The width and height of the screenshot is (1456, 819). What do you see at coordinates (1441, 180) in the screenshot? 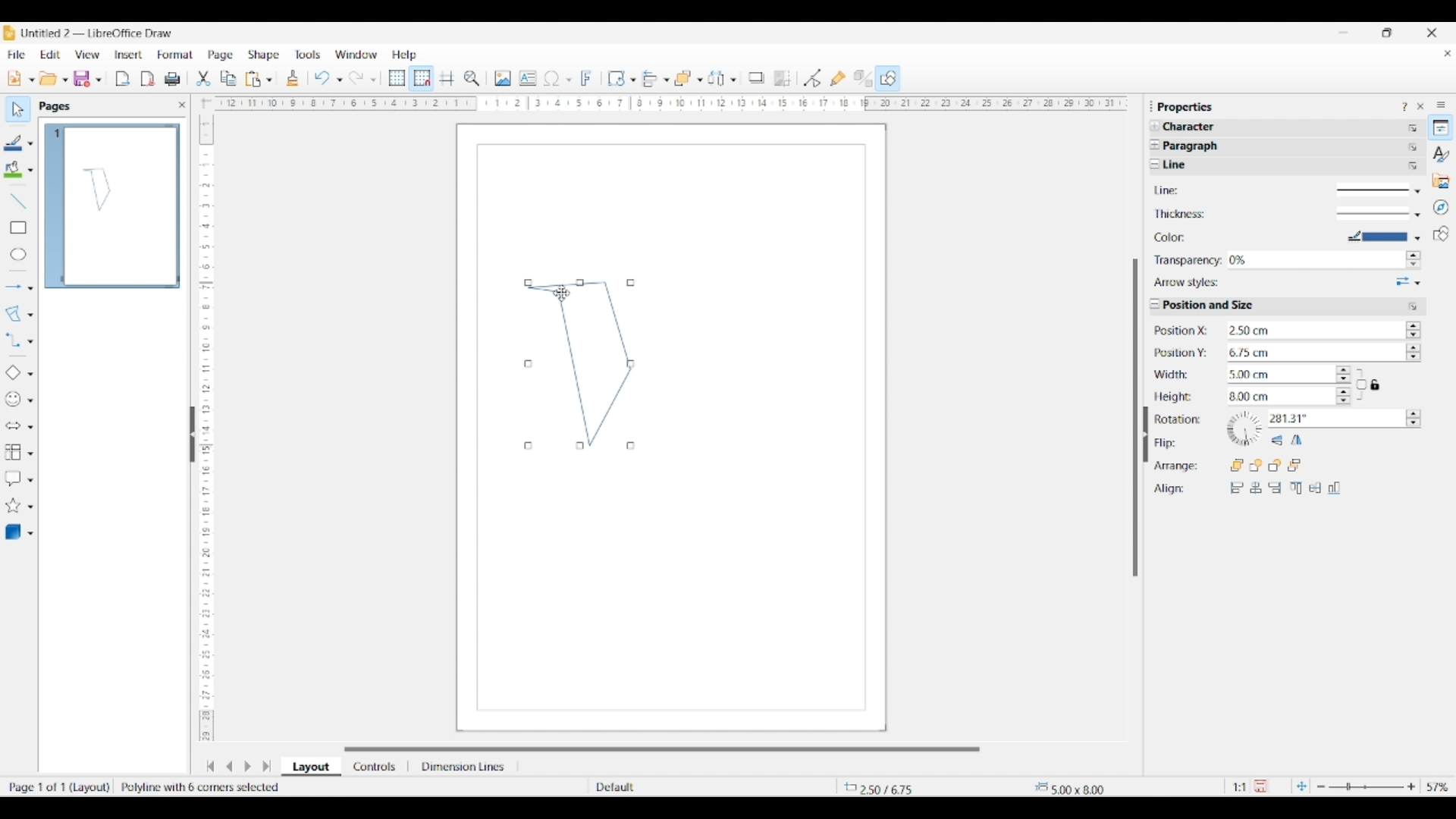
I see `Gallery` at bounding box center [1441, 180].